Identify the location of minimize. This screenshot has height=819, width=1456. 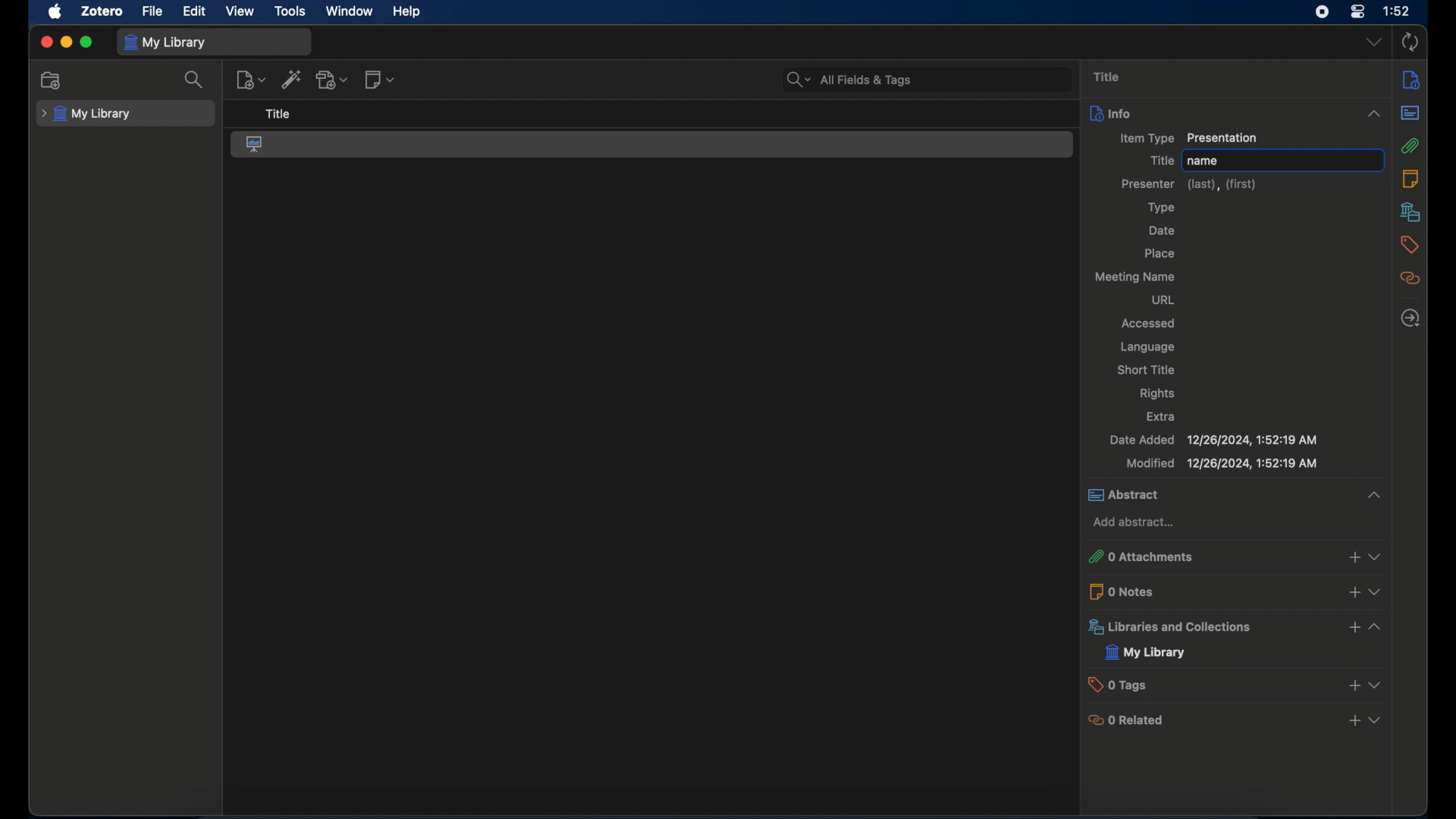
(65, 42).